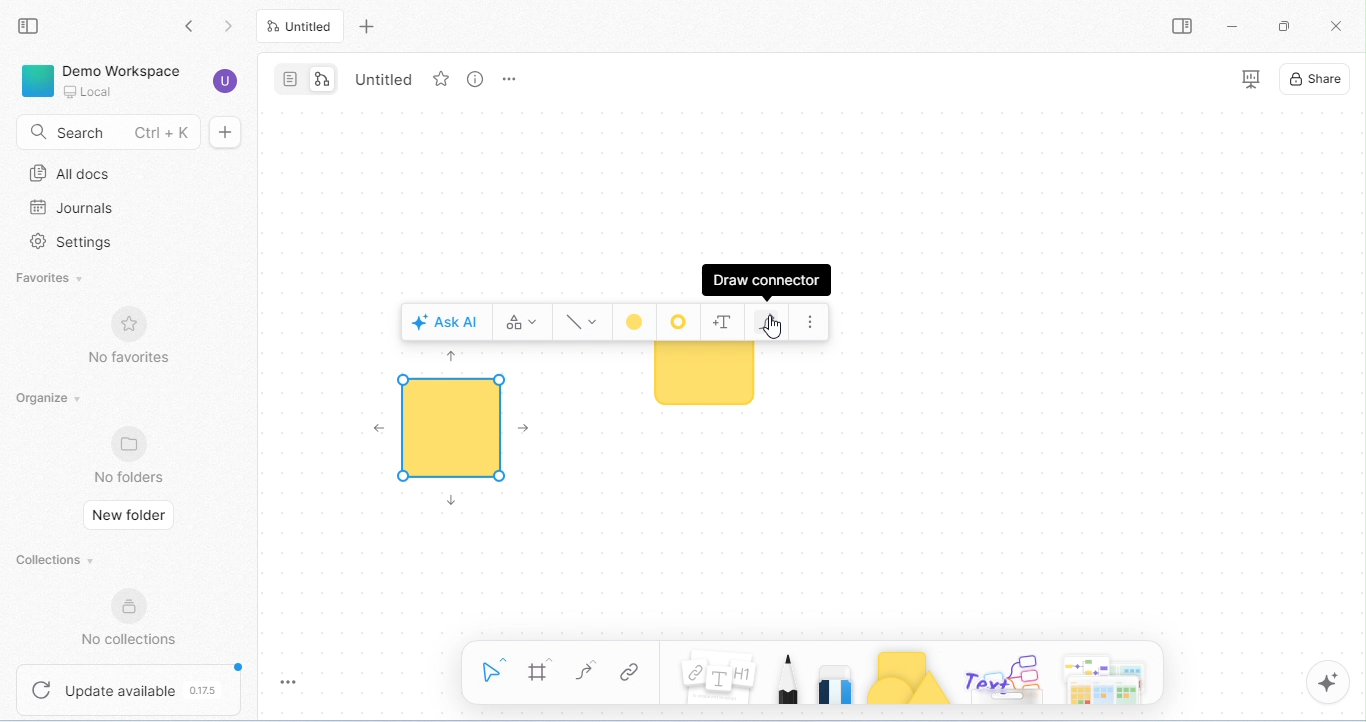 The image size is (1366, 722). What do you see at coordinates (773, 332) in the screenshot?
I see `cursor movement` at bounding box center [773, 332].